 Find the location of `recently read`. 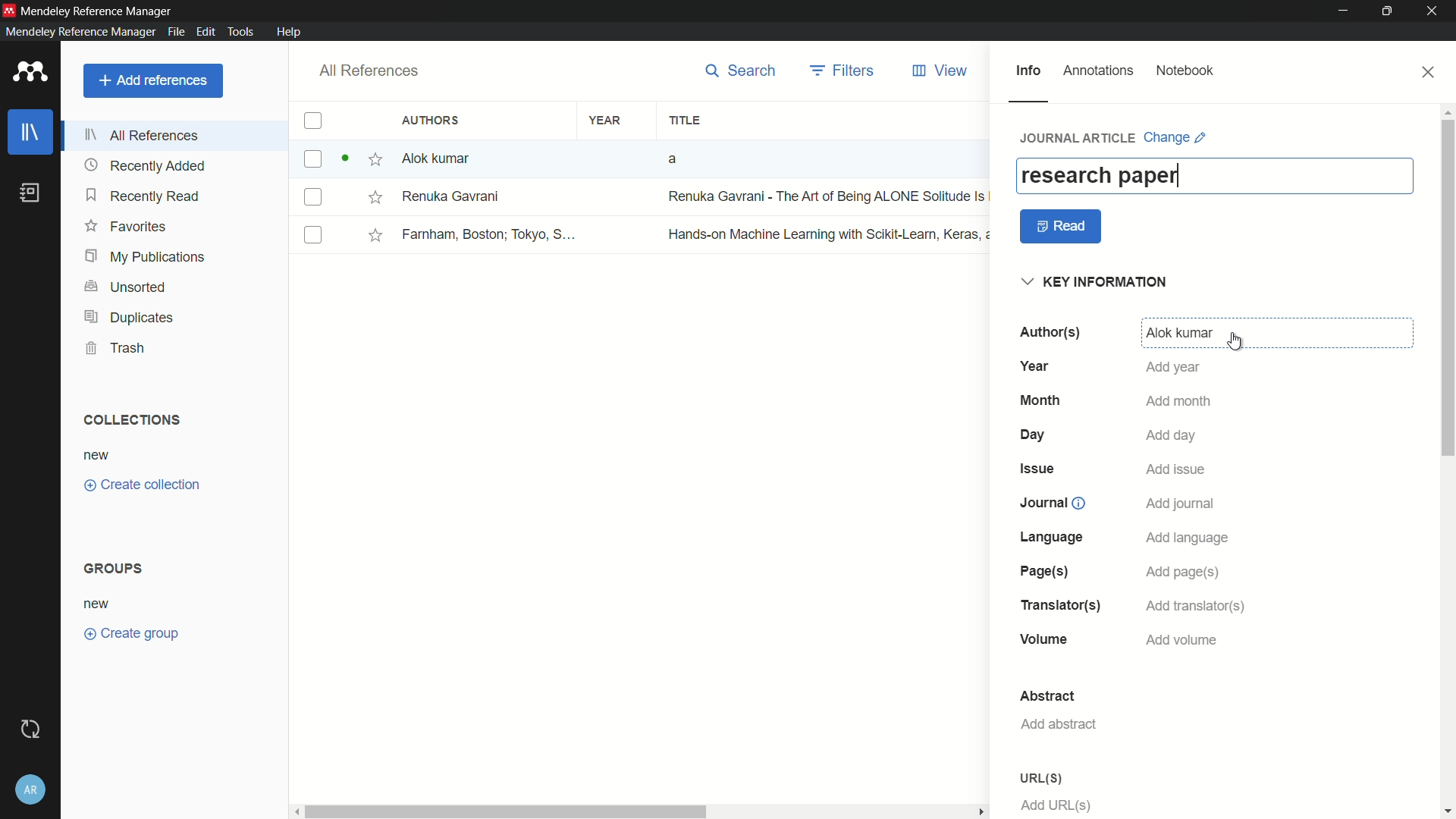

recently read is located at coordinates (143, 195).